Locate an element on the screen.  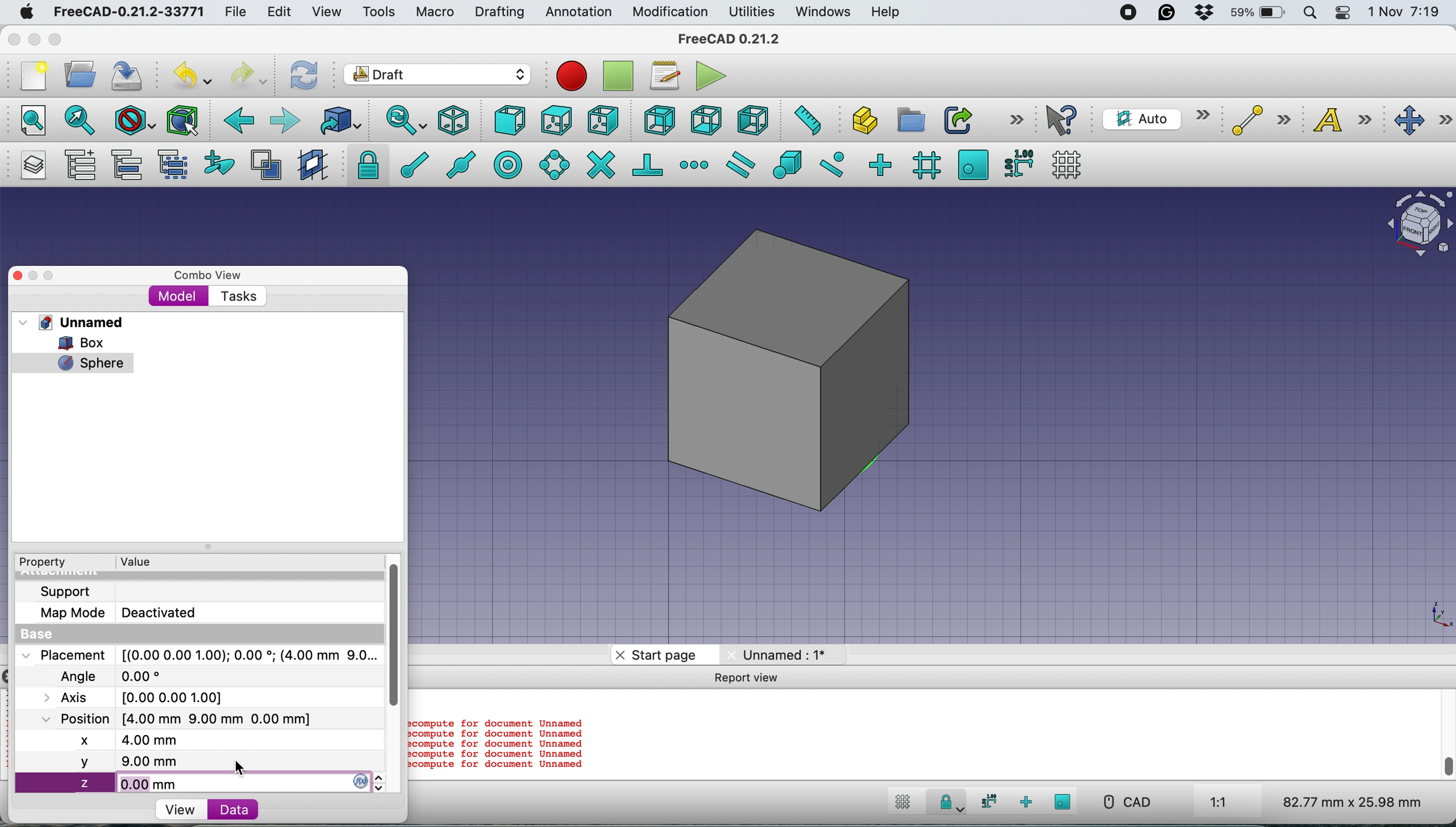
base is located at coordinates (40, 635).